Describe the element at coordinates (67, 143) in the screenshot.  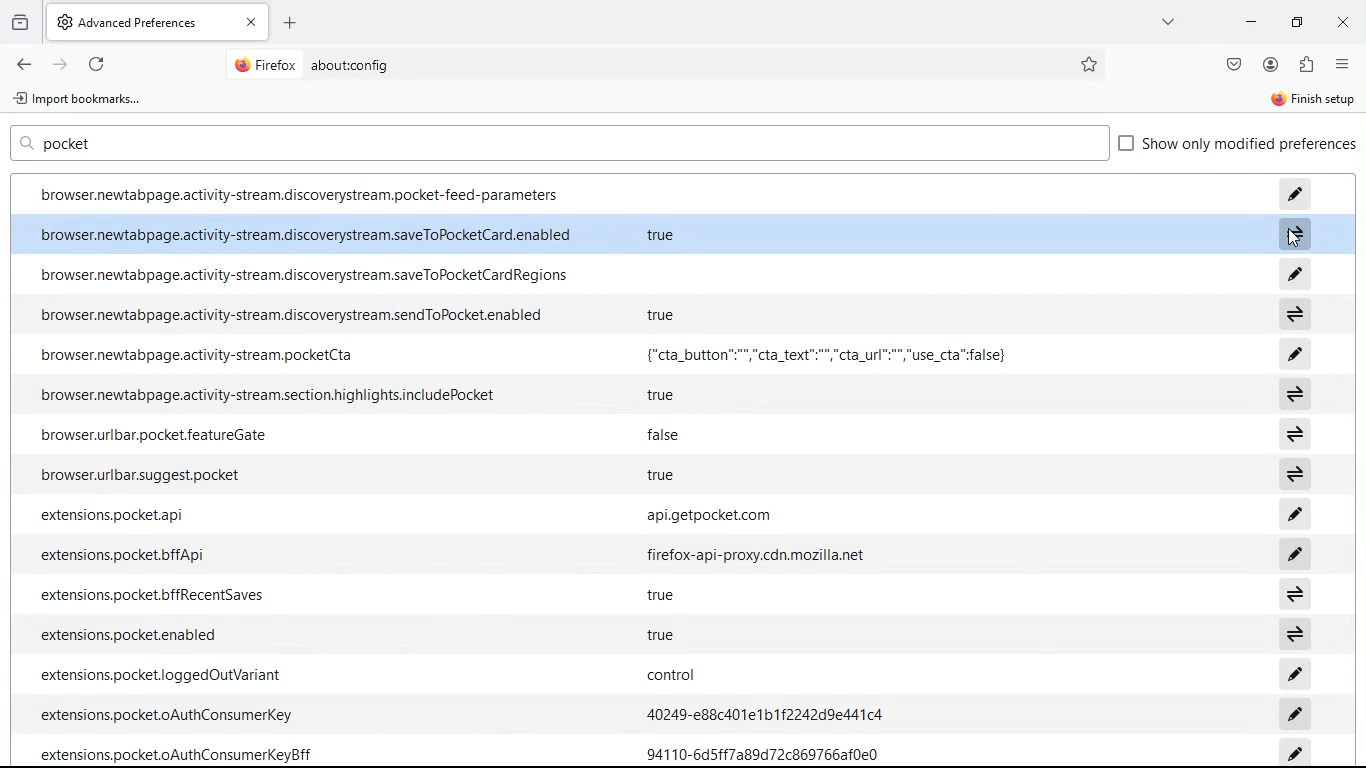
I see `pocket` at that location.